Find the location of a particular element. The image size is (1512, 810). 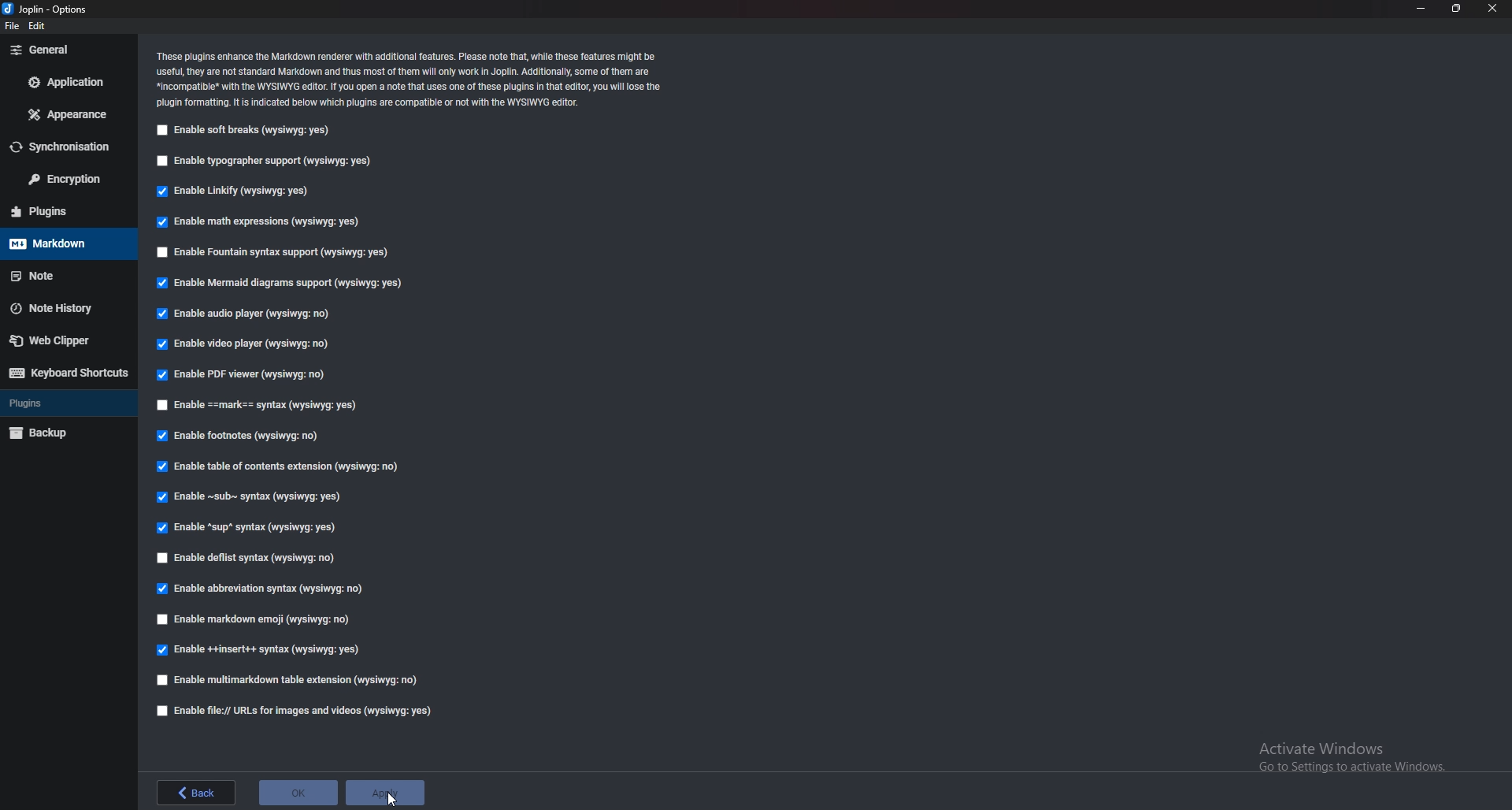

Enable mermaid diagrams support is located at coordinates (287, 284).